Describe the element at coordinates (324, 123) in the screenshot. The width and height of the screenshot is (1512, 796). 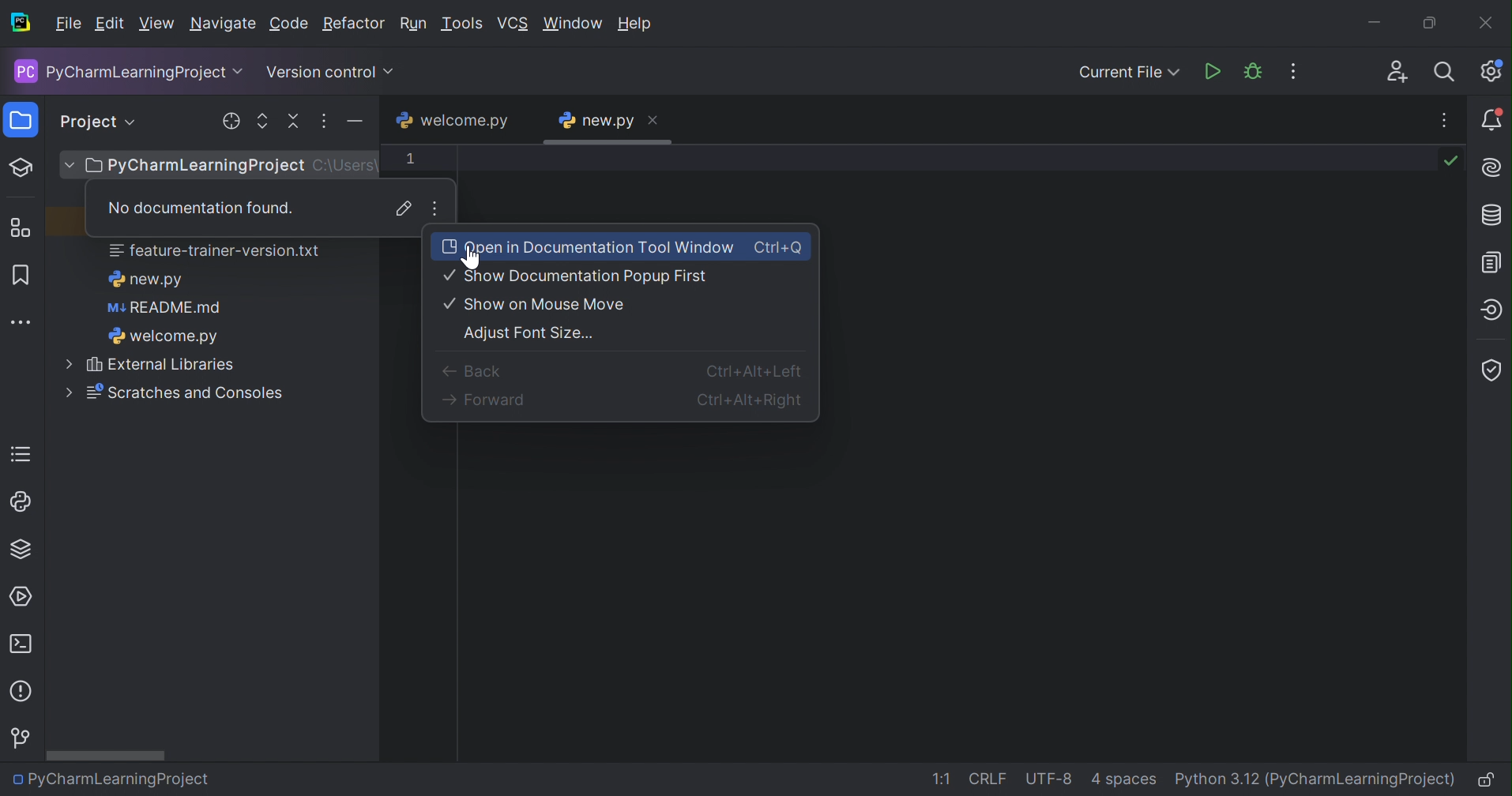
I see `more` at that location.